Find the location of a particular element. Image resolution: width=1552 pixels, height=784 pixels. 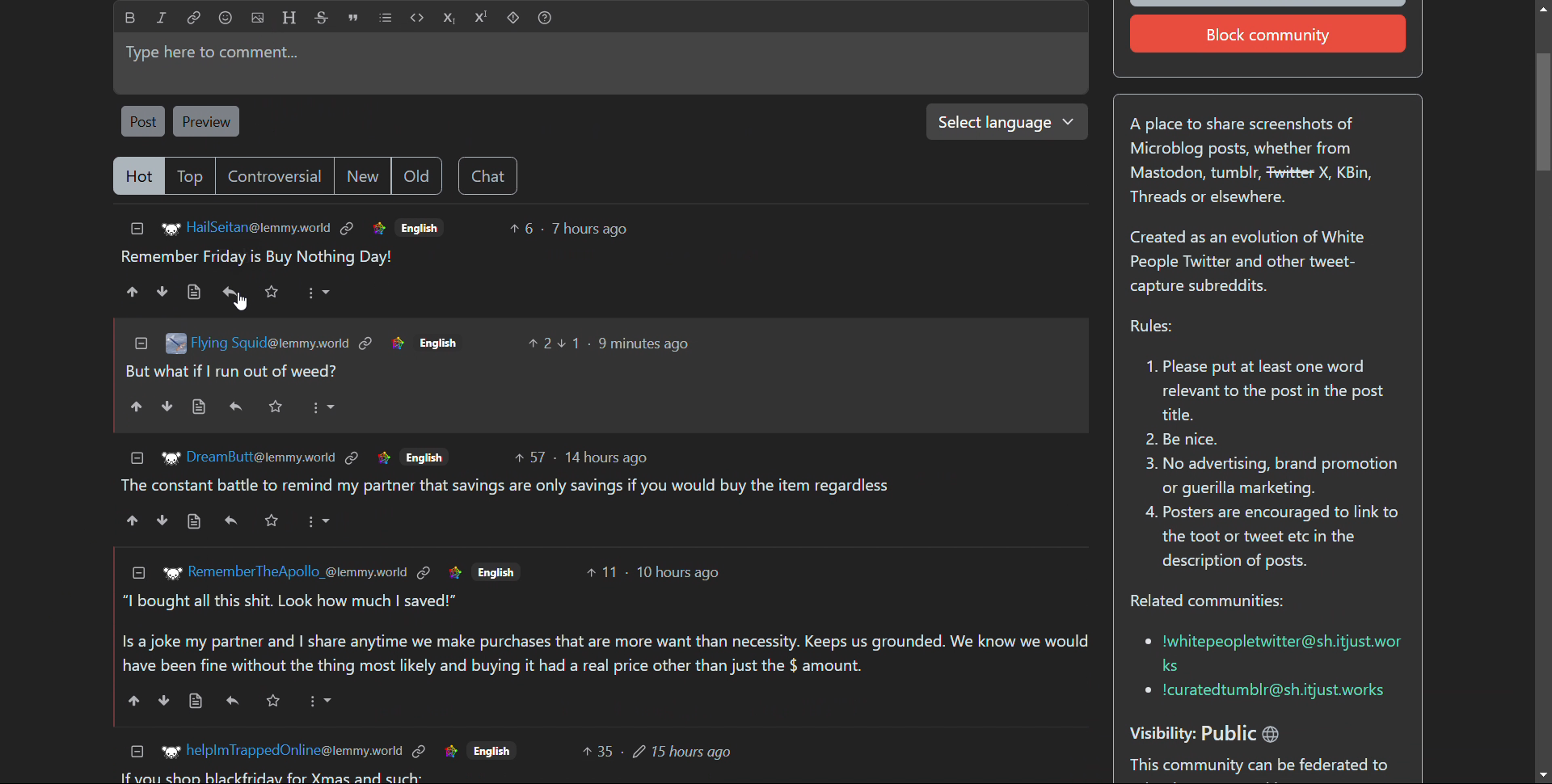

e Icuratedtumblr@sh.itjust.works is located at coordinates (1270, 692).